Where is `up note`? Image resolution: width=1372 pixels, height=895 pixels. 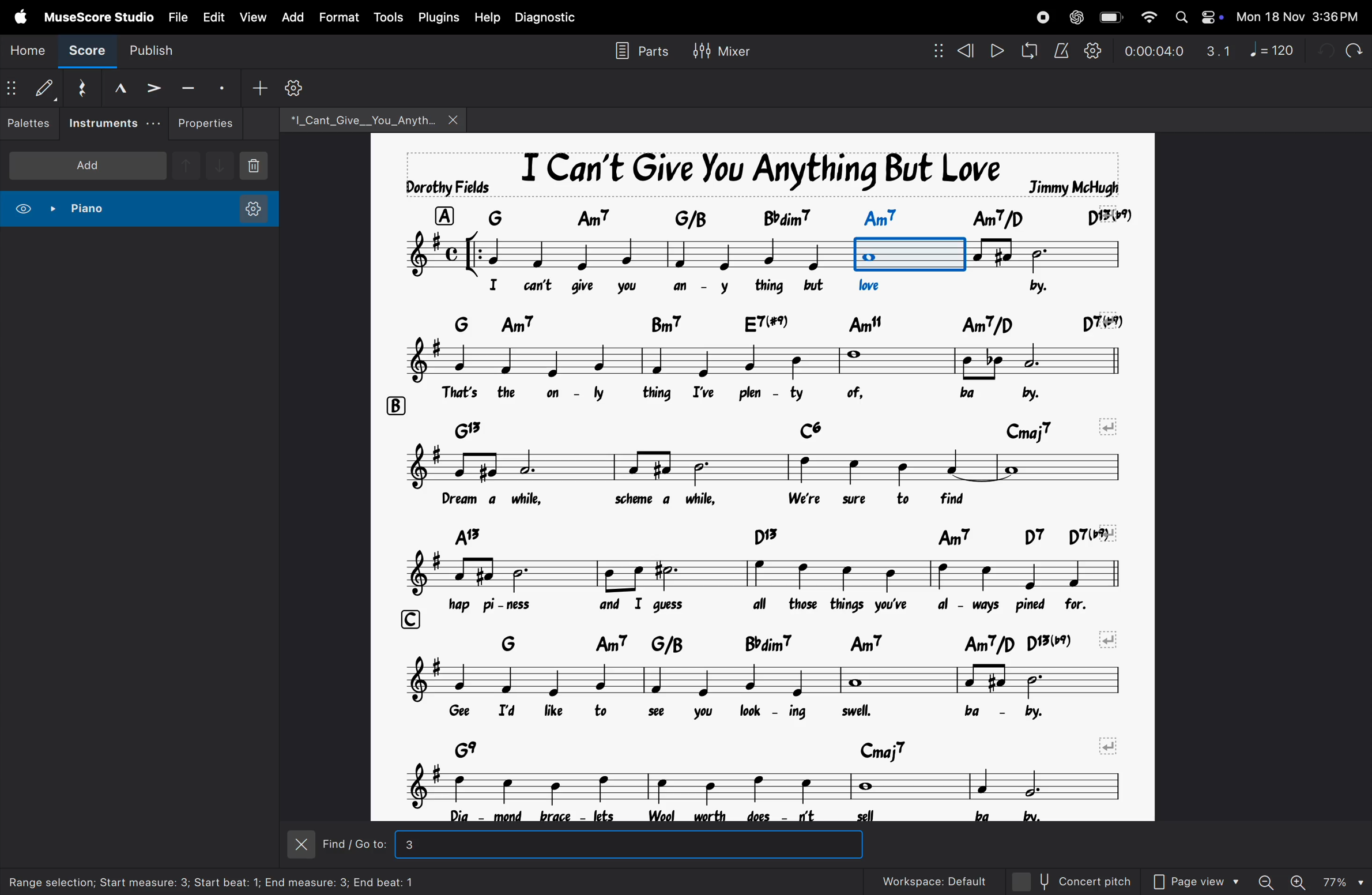
up note is located at coordinates (186, 166).